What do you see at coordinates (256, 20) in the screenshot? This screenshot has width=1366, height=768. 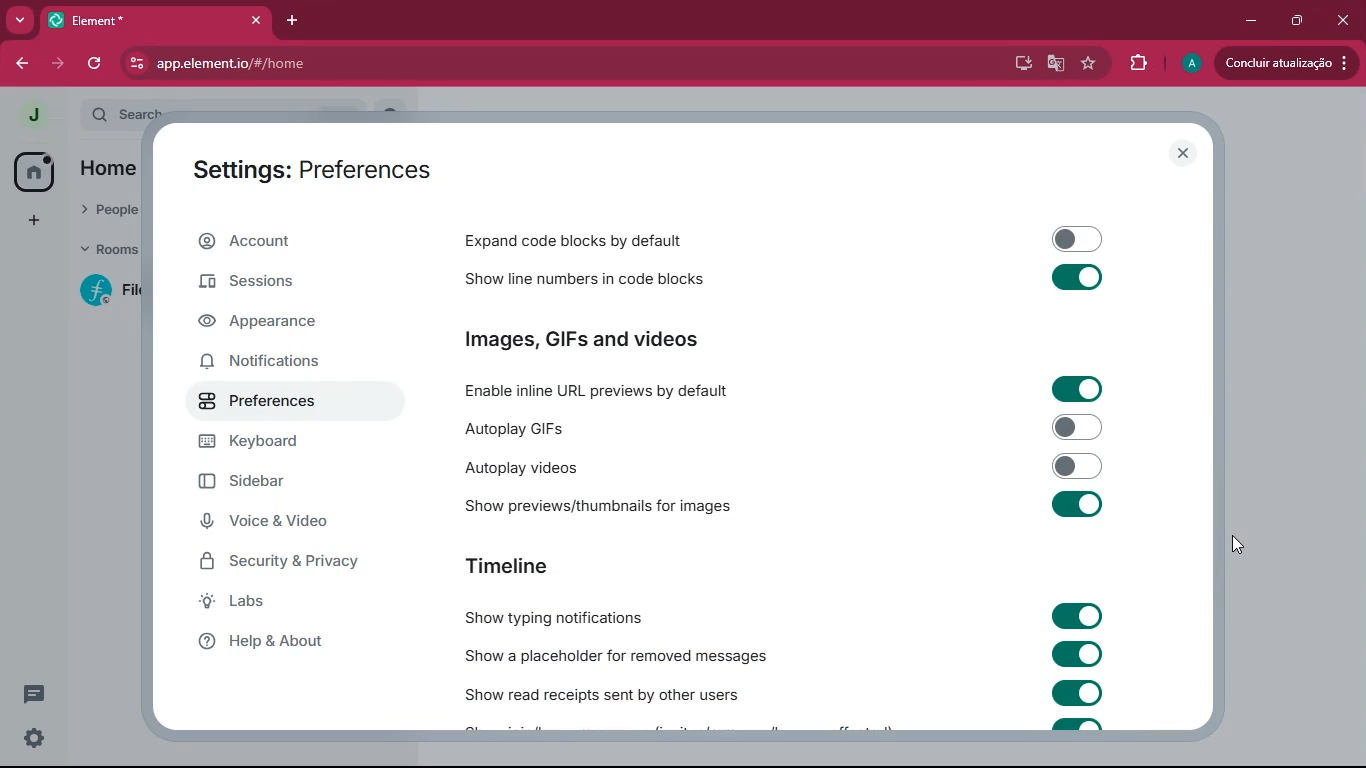 I see `close tab` at bounding box center [256, 20].